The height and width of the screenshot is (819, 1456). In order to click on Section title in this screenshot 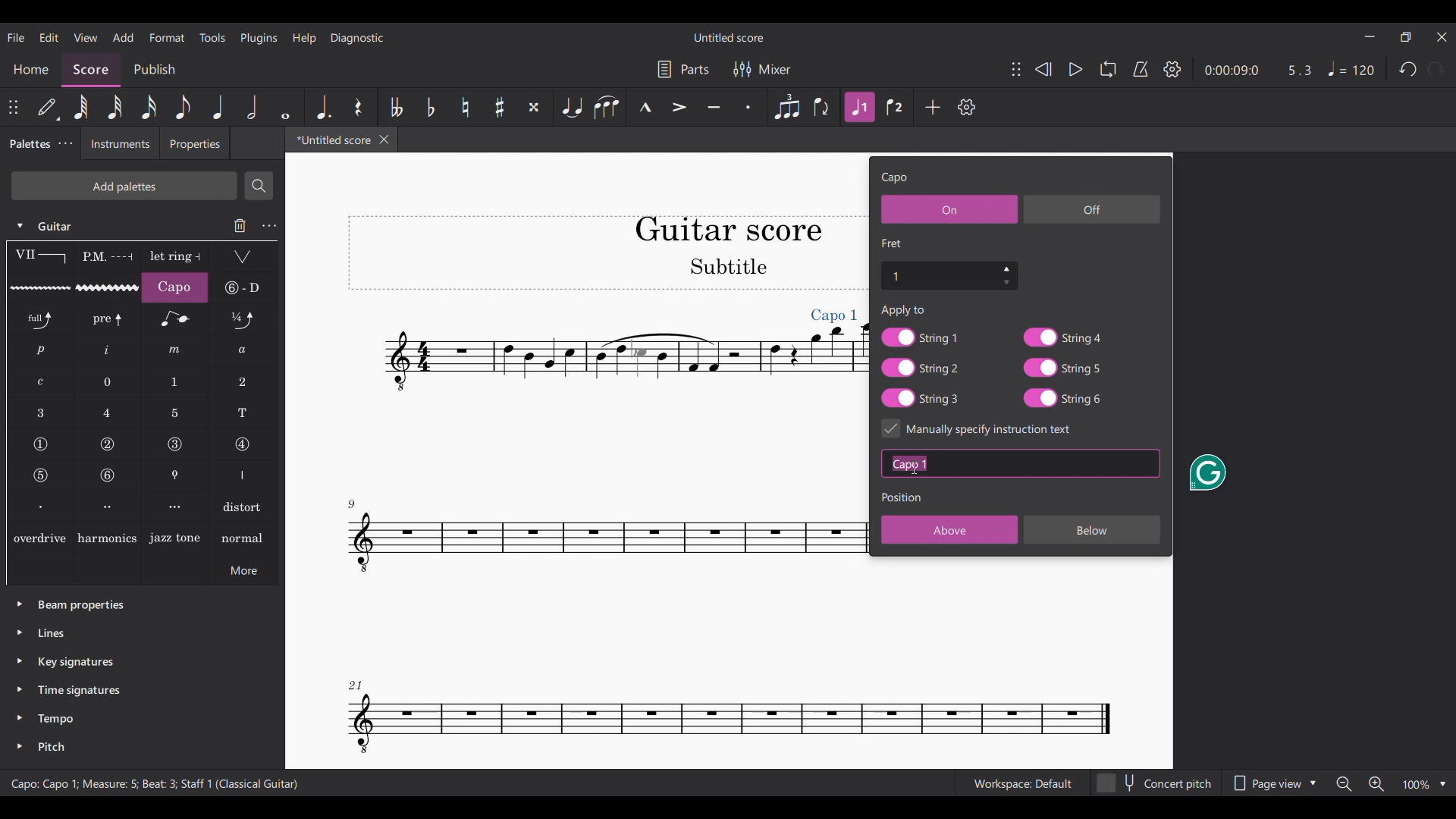, I will do `click(893, 243)`.